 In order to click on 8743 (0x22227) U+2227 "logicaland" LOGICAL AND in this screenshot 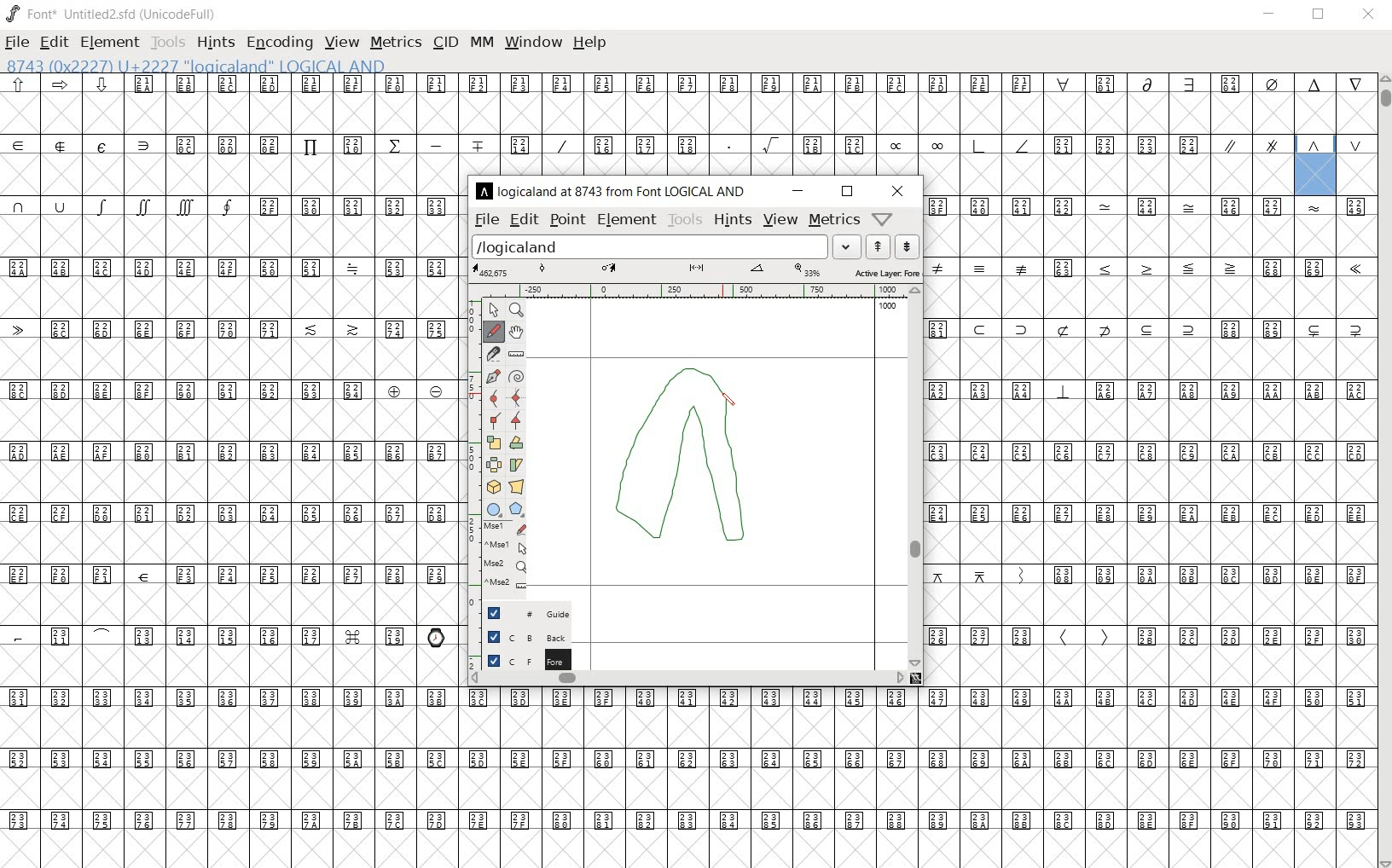, I will do `click(1318, 165)`.